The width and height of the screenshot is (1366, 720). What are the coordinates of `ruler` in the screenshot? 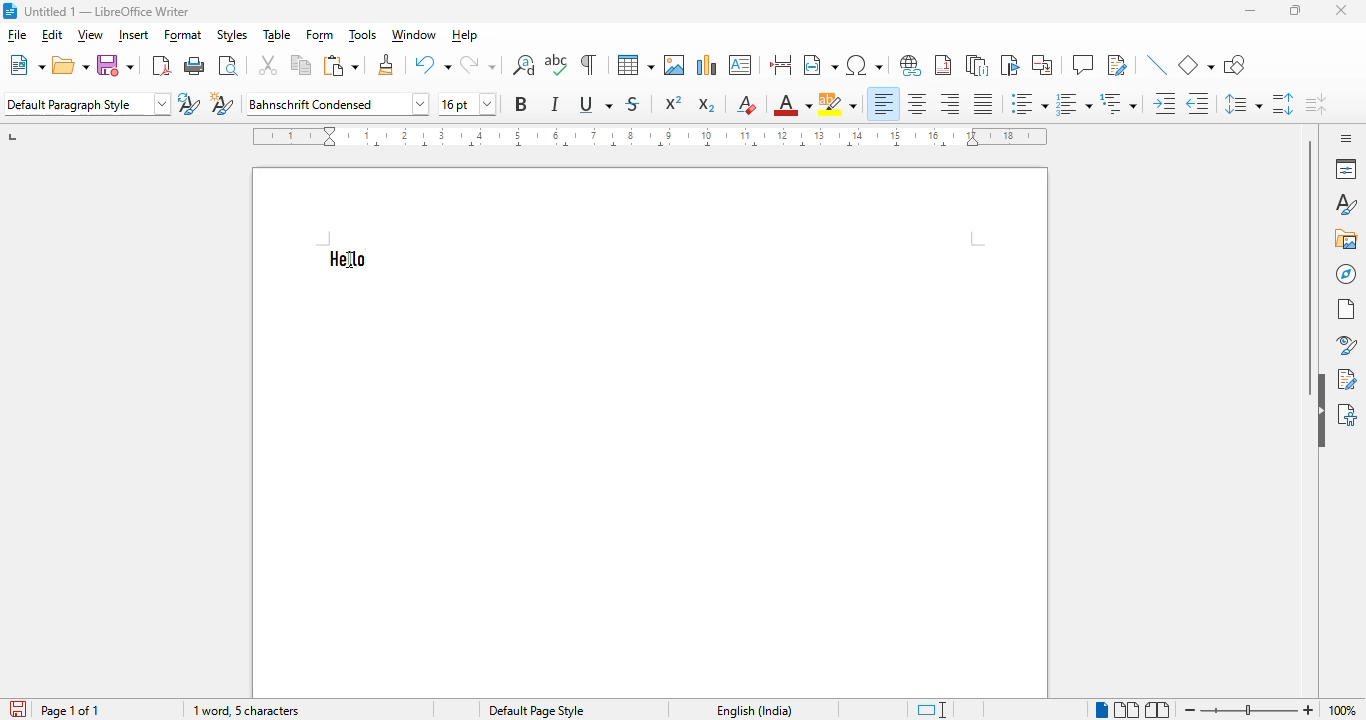 It's located at (647, 135).